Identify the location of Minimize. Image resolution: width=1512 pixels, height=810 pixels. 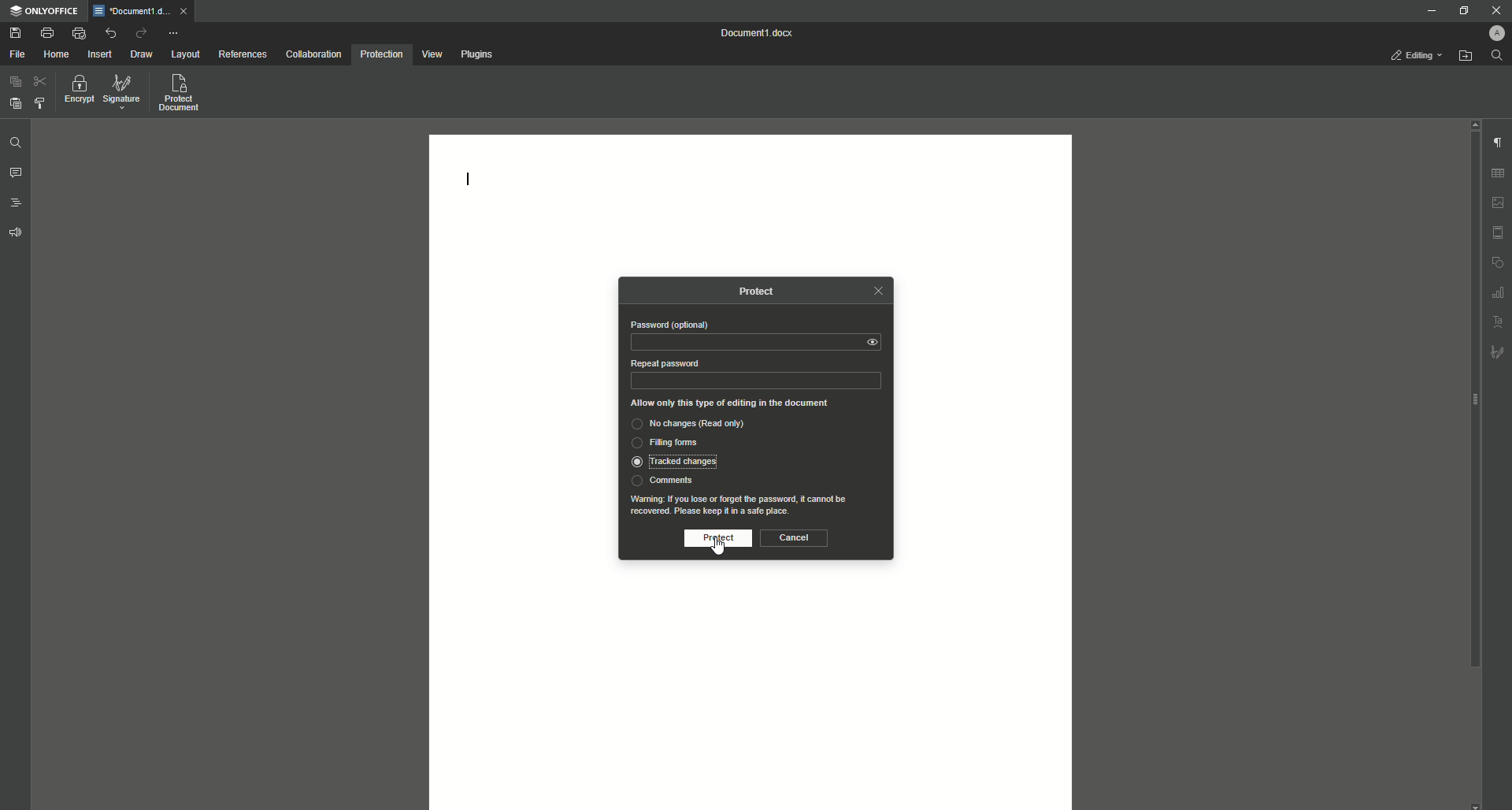
(1428, 11).